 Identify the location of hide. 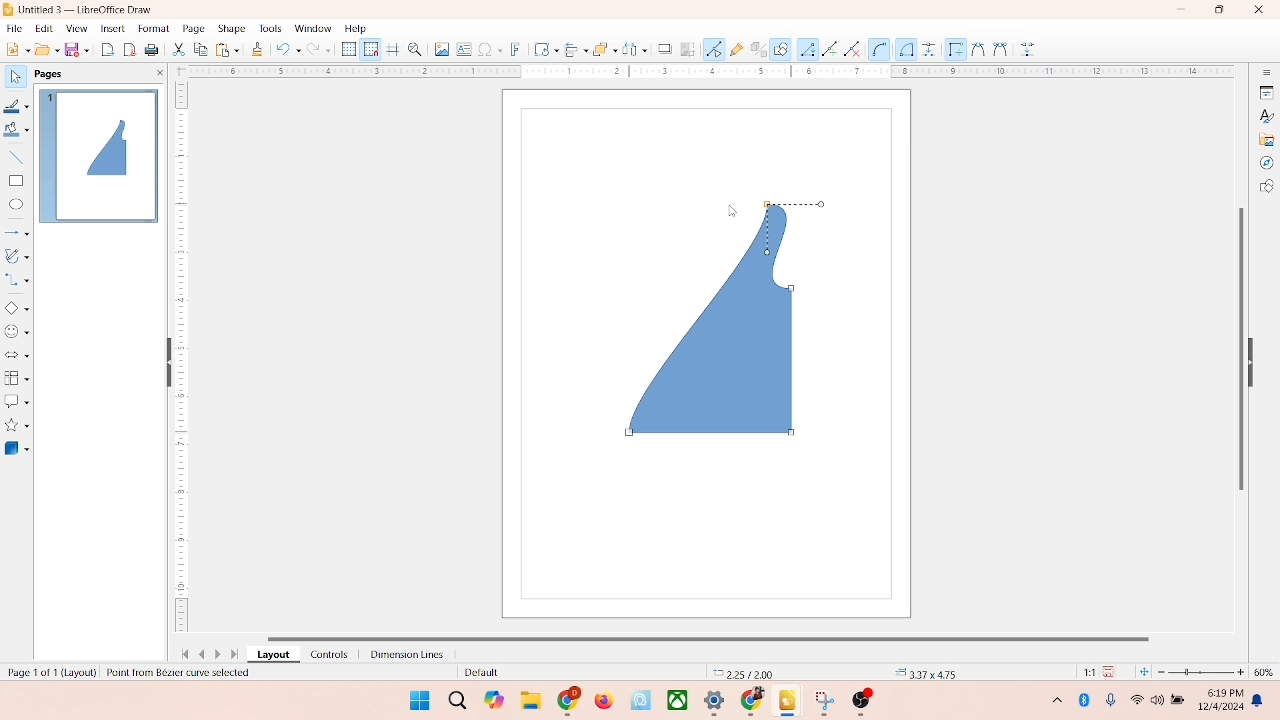
(1256, 359).